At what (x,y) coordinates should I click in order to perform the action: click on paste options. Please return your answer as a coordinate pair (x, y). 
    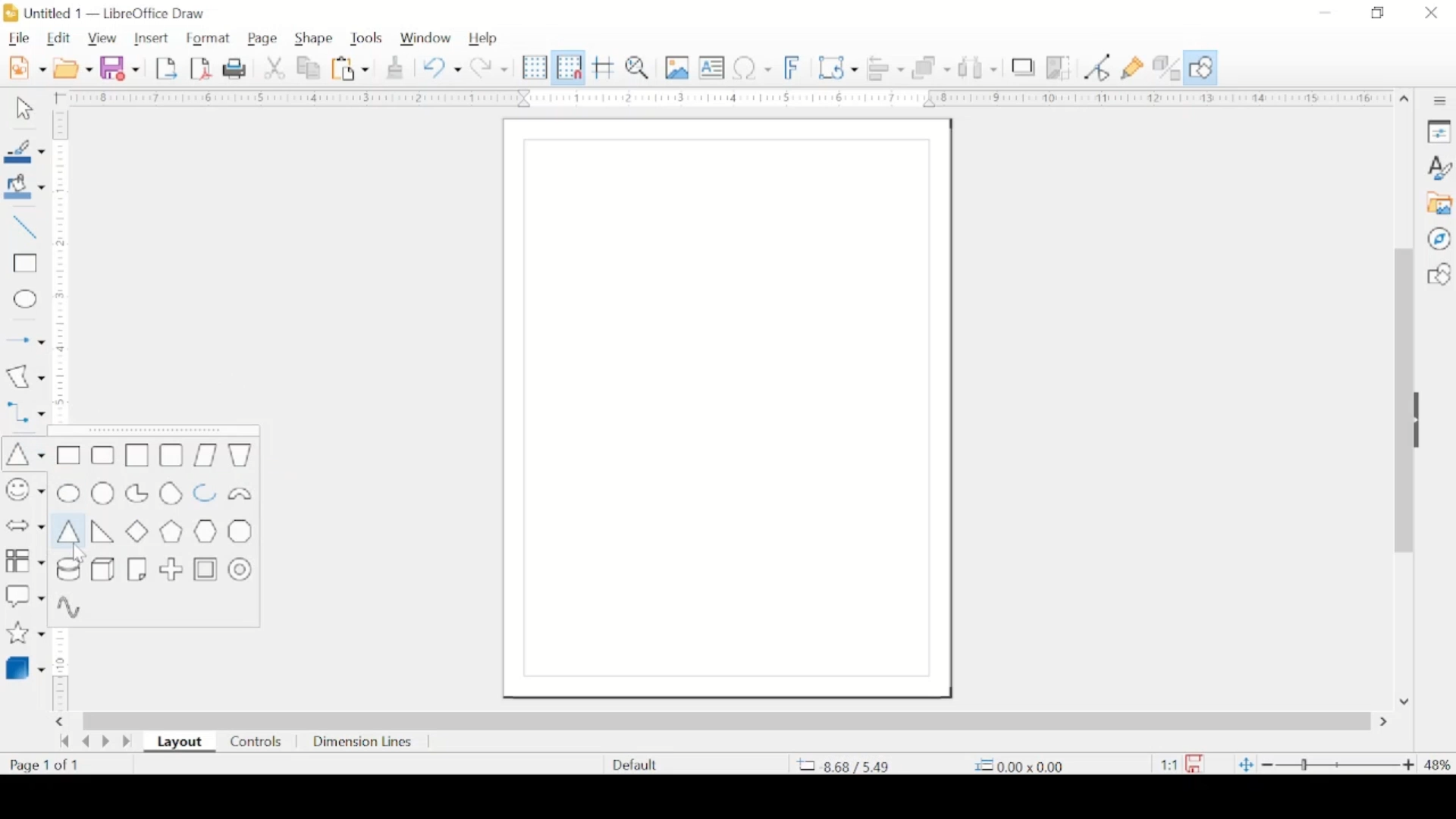
    Looking at the image, I should click on (351, 69).